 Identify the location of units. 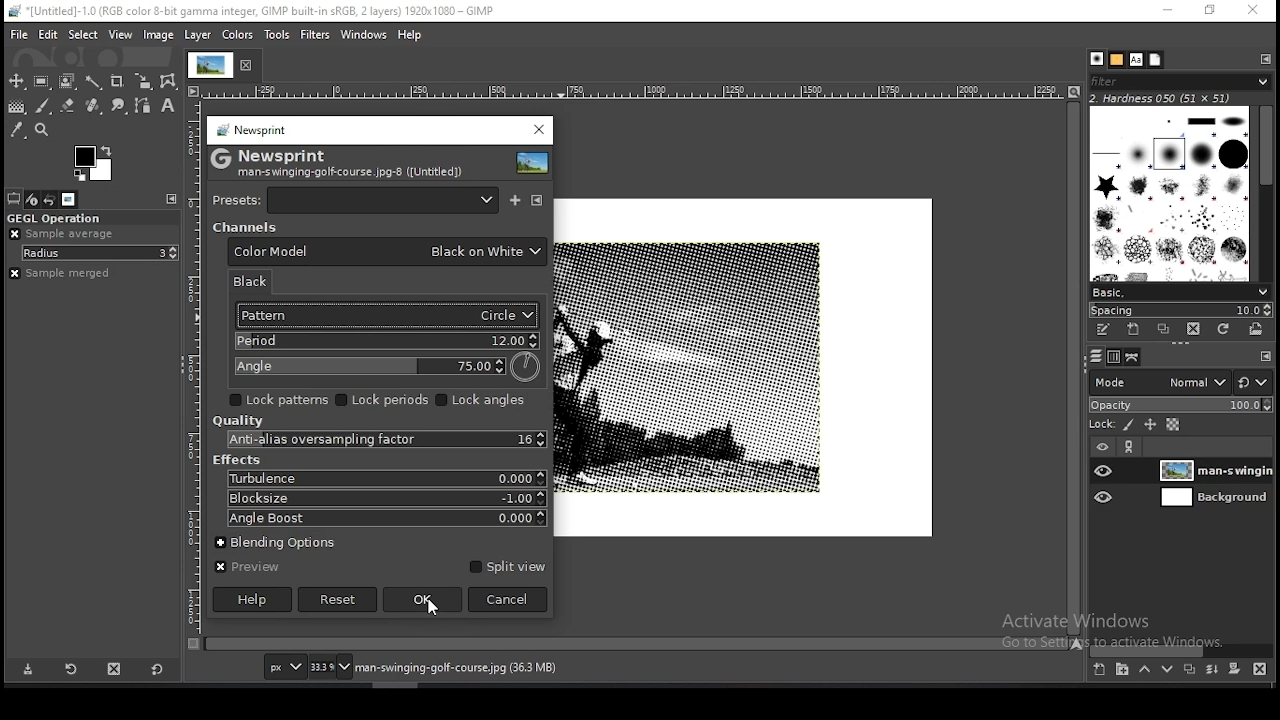
(284, 667).